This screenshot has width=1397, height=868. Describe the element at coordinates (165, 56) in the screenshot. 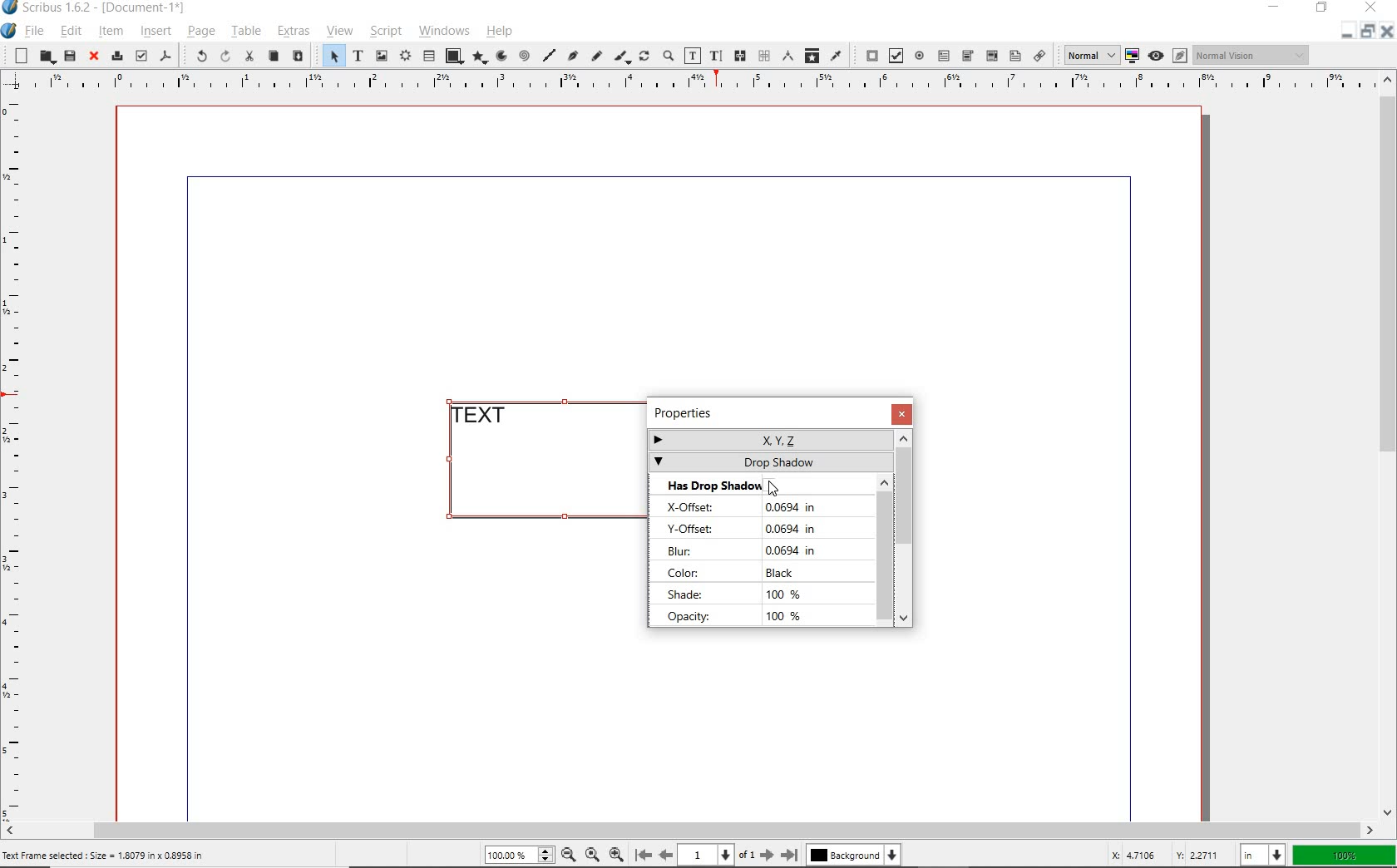

I see `save as pdf` at that location.